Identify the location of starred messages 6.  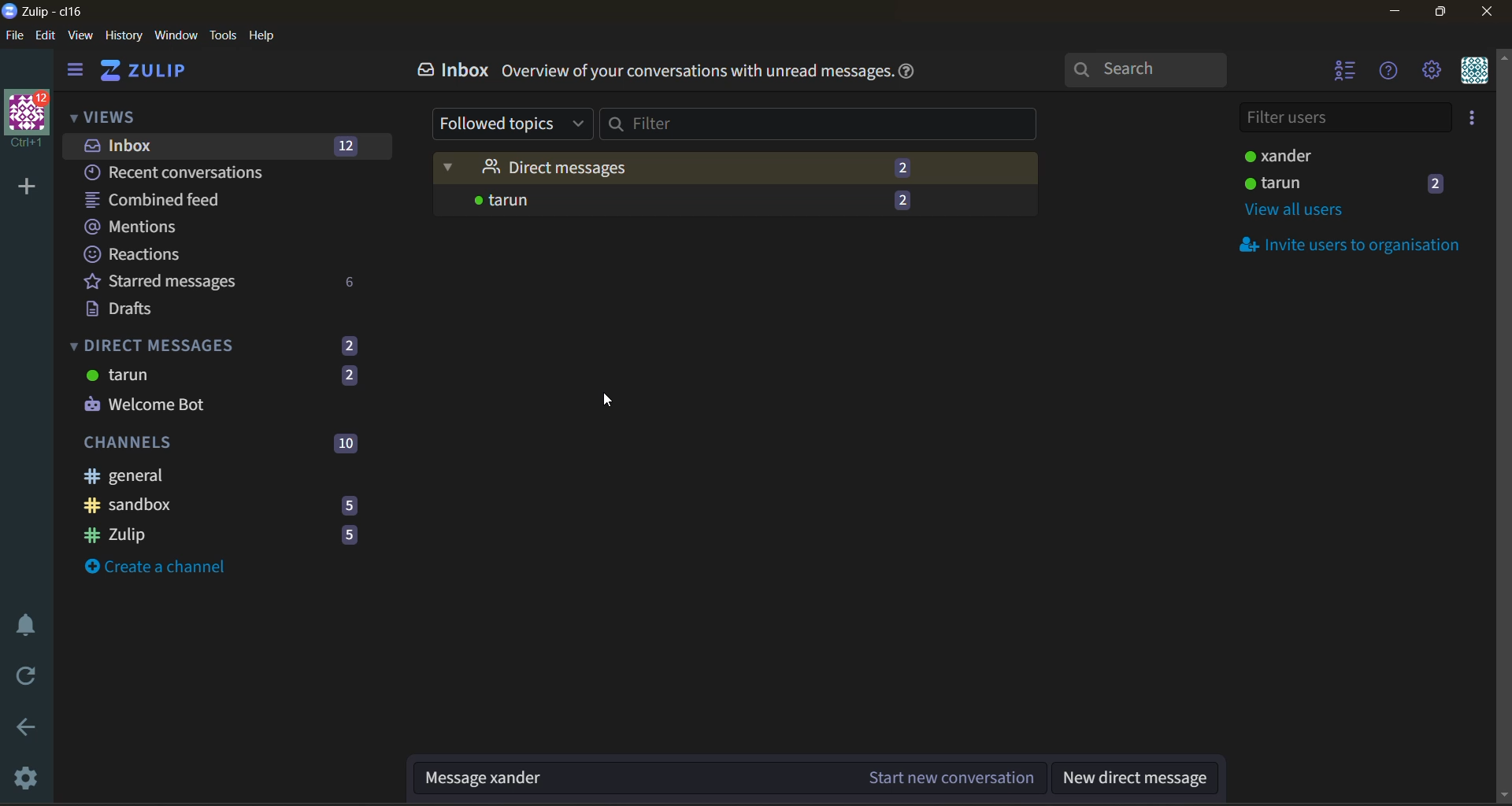
(227, 283).